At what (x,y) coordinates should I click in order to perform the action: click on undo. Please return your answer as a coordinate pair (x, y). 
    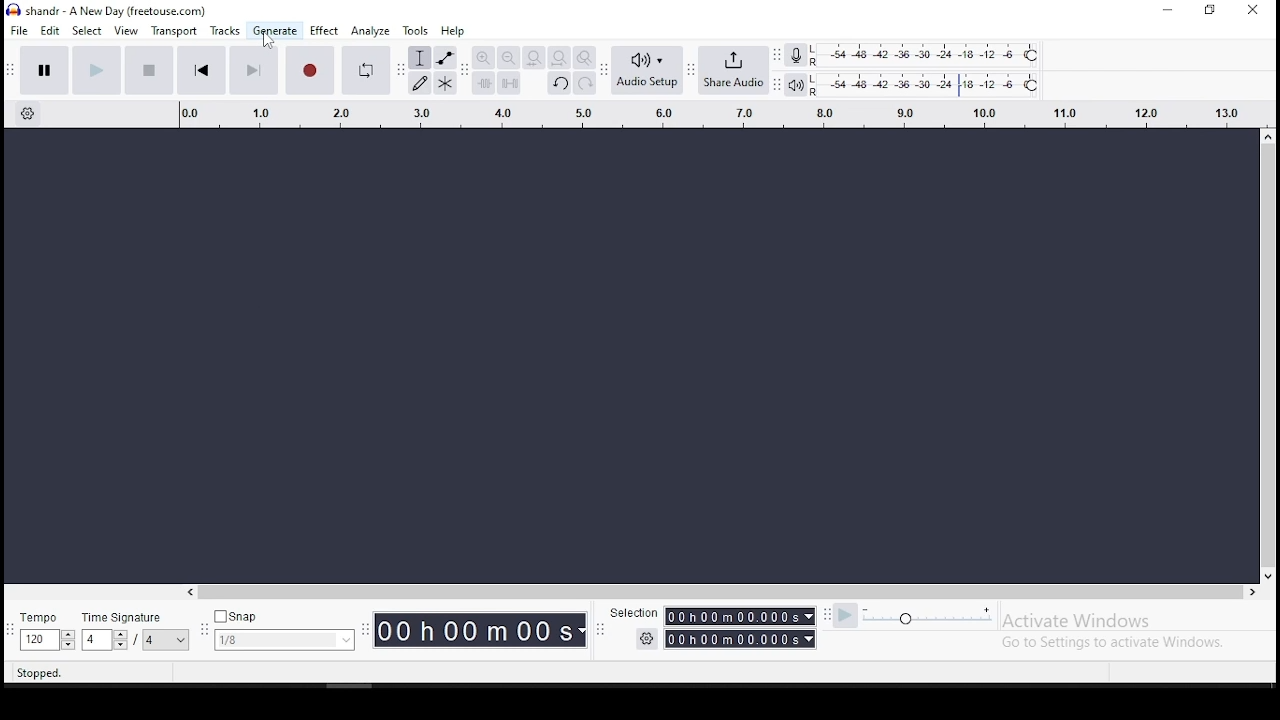
    Looking at the image, I should click on (559, 83).